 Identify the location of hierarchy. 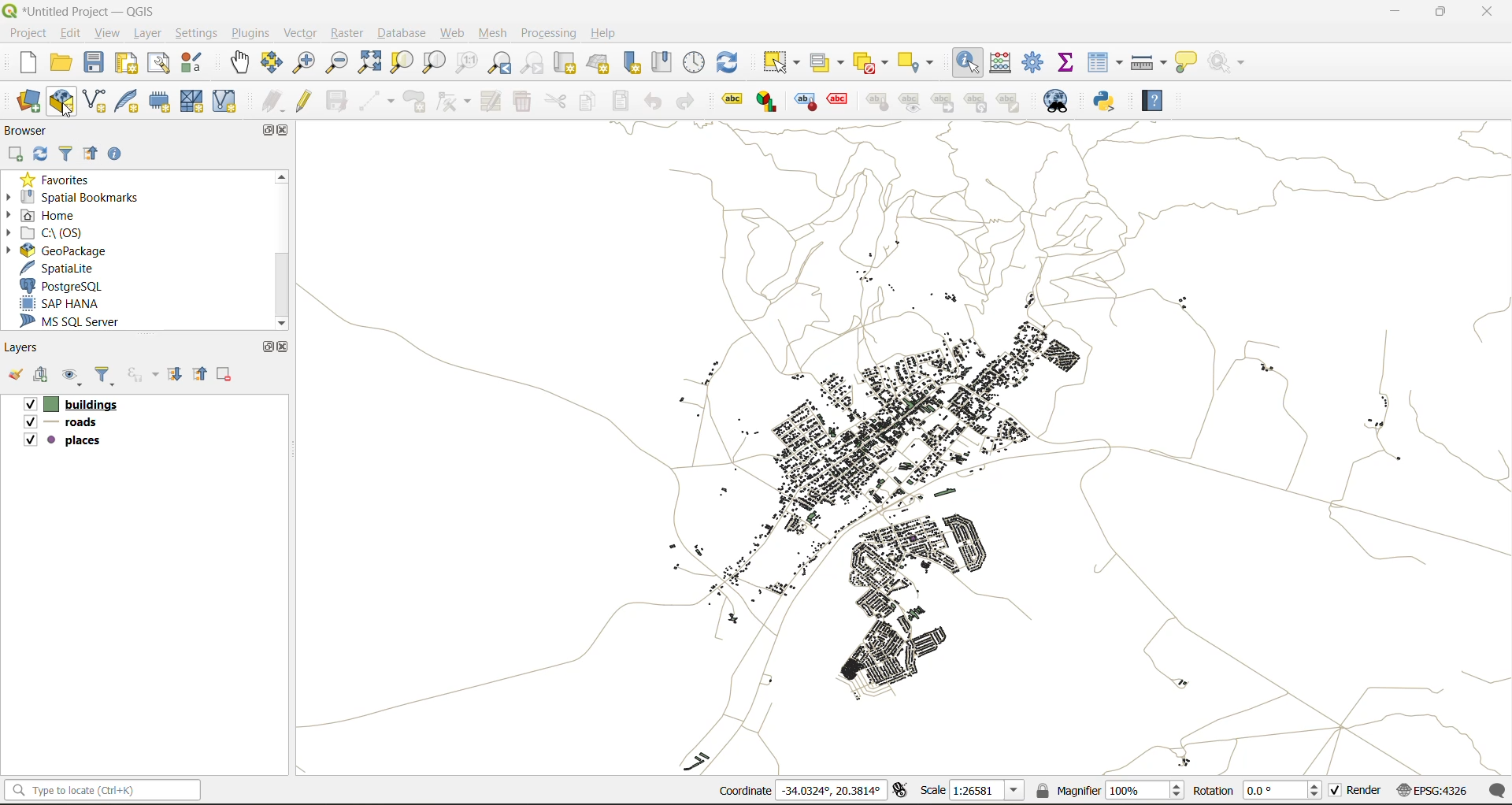
(980, 102).